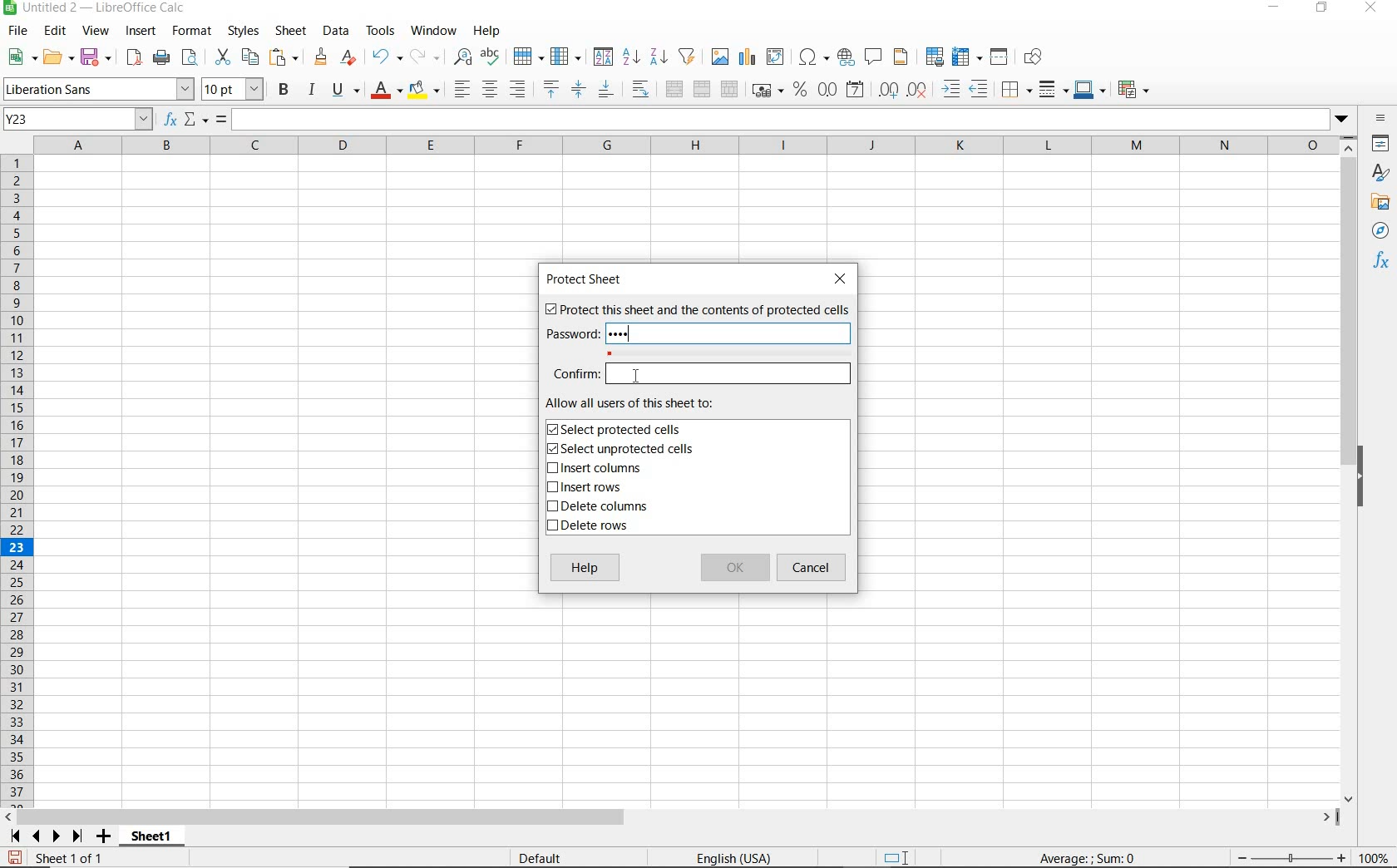  Describe the element at coordinates (1051, 89) in the screenshot. I see `BORDER STYLE` at that location.